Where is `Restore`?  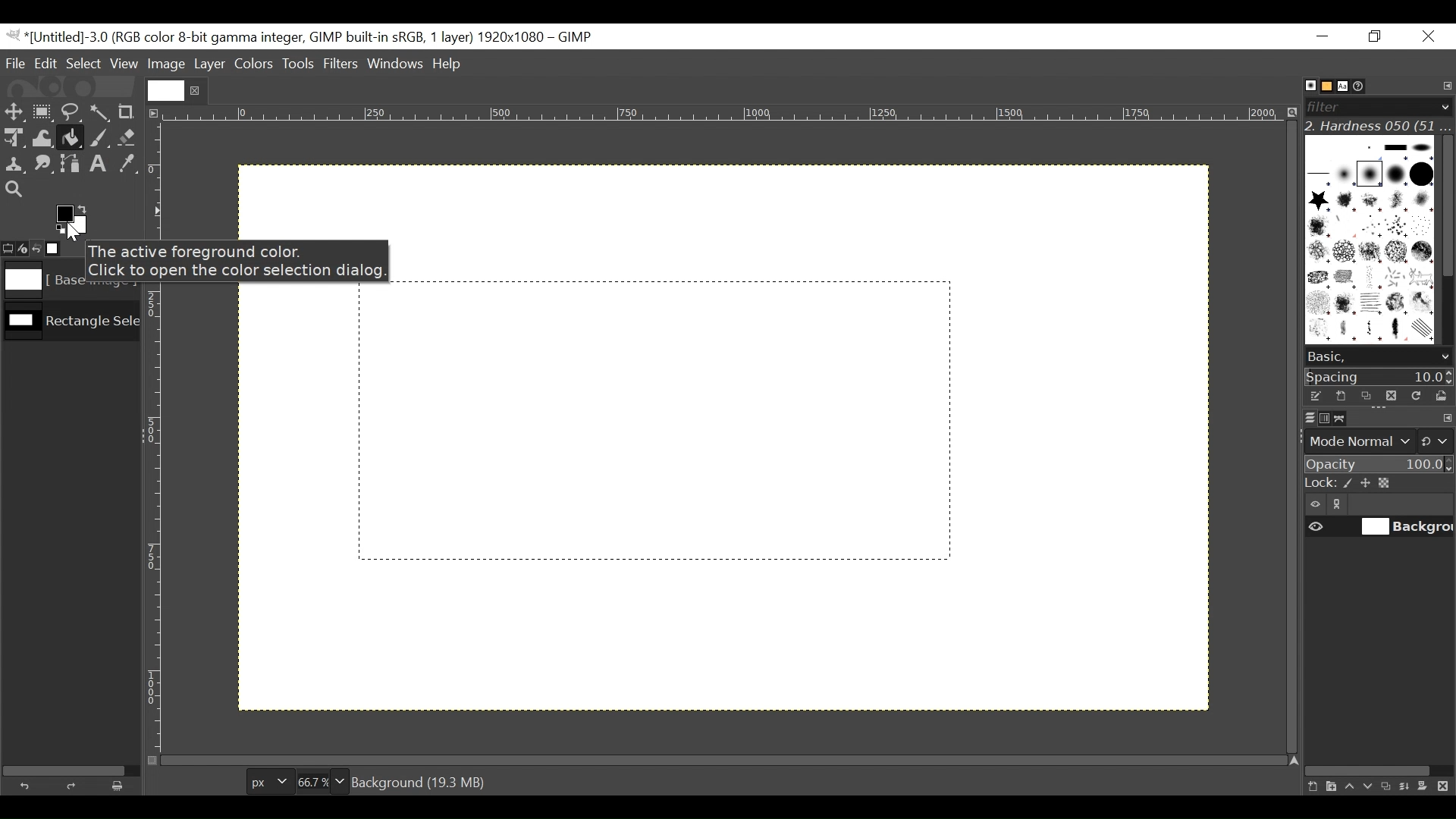 Restore is located at coordinates (1378, 37).